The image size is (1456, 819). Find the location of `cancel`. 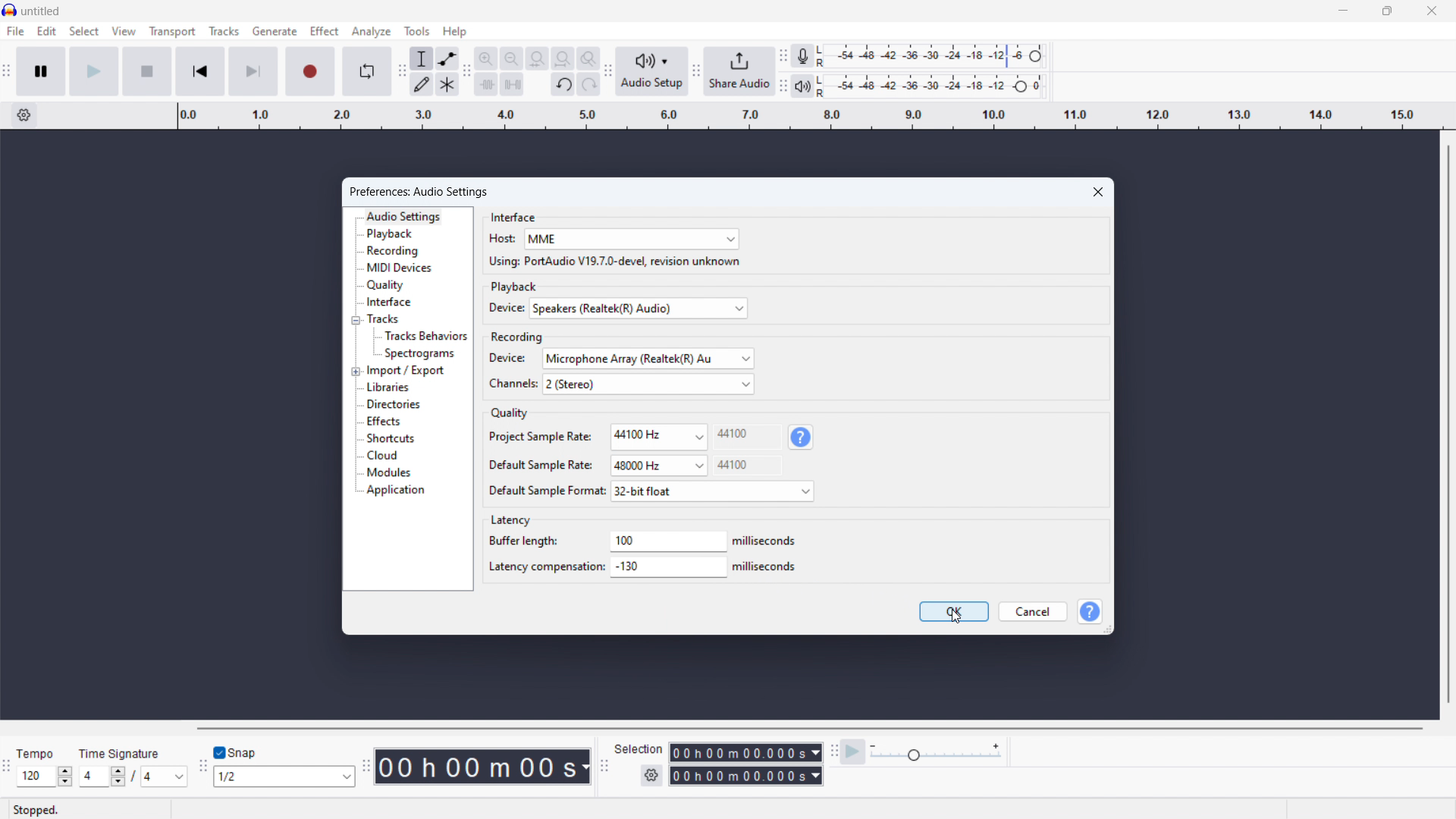

cancel is located at coordinates (1031, 612).